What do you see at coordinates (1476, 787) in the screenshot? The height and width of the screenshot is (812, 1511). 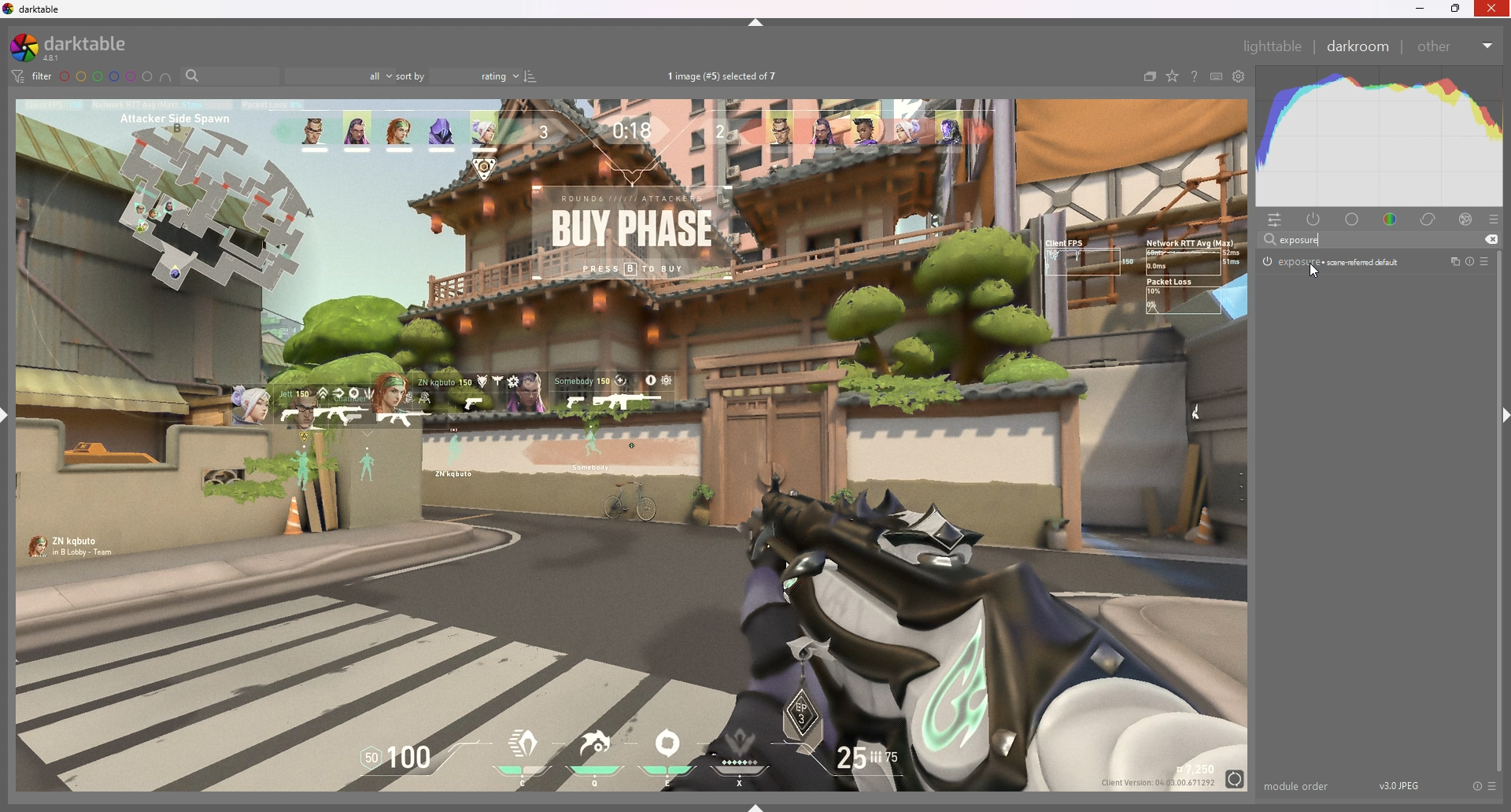 I see `reset` at bounding box center [1476, 787].